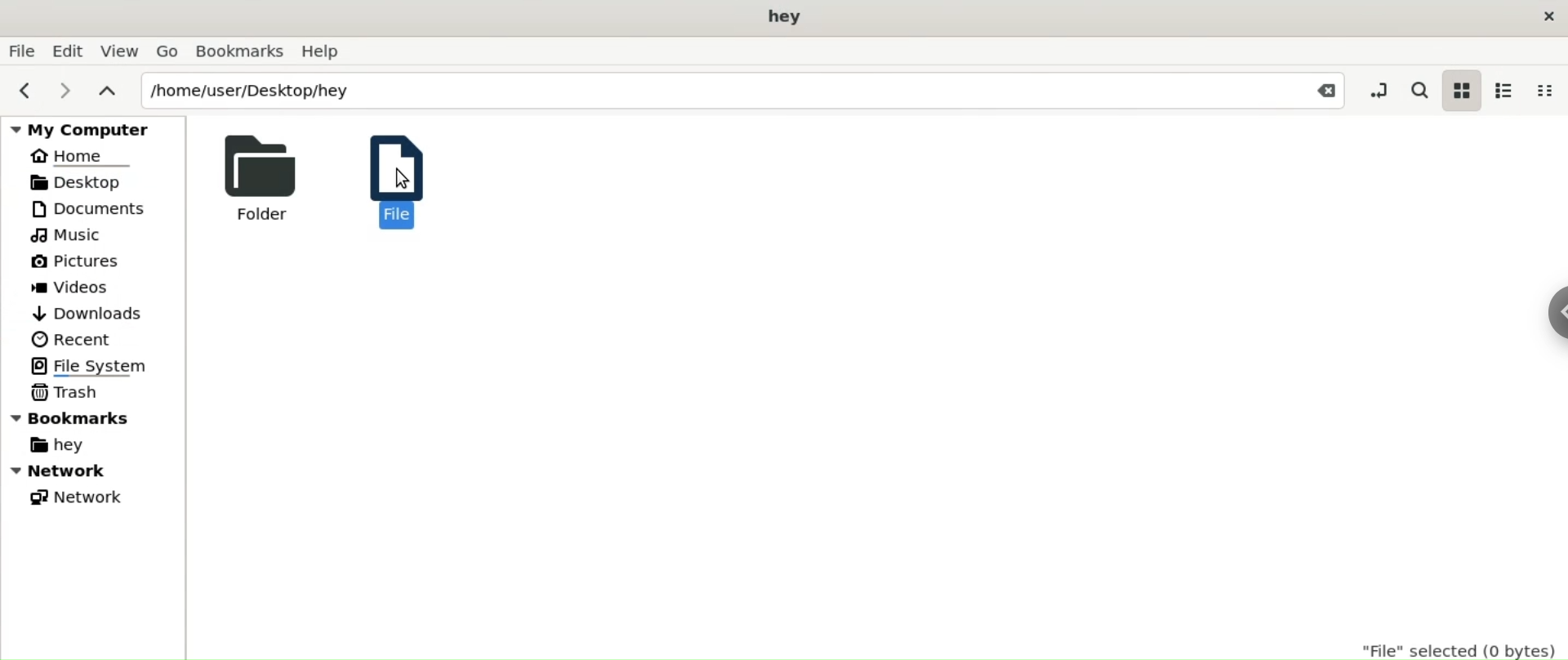 The image size is (1568, 660). I want to click on Trash, so click(67, 392).